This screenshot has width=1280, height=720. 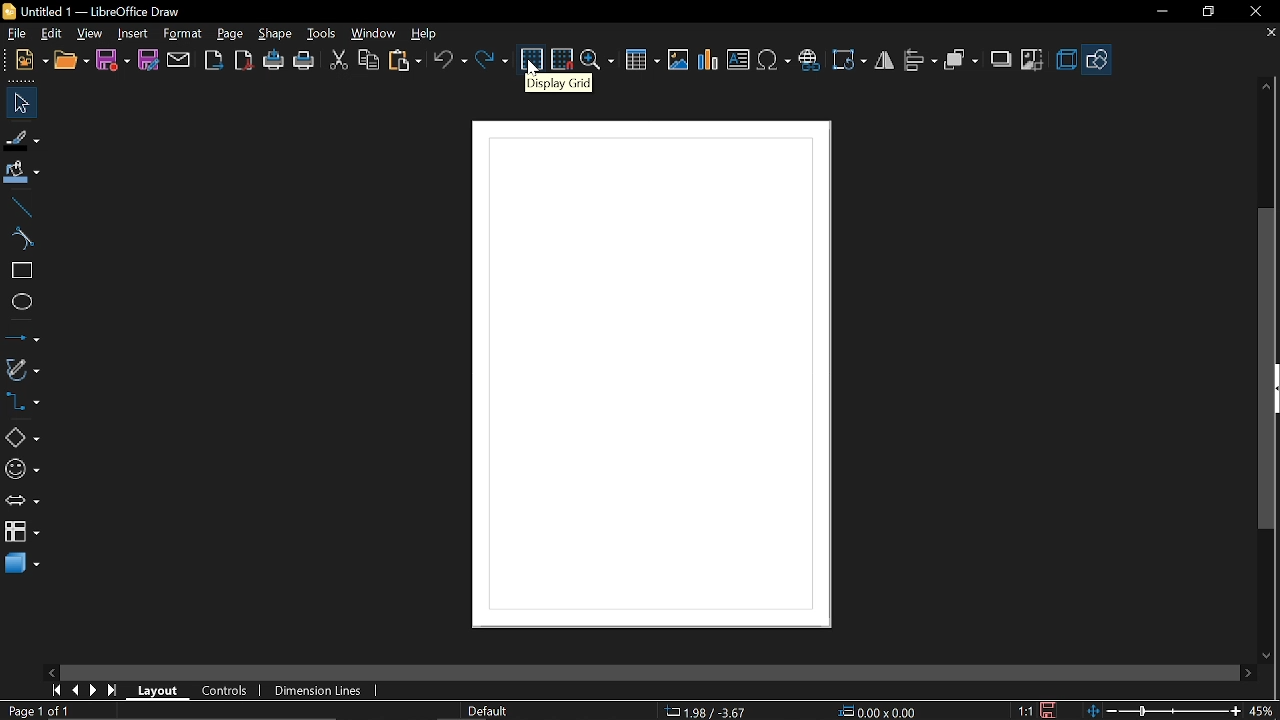 I want to click on tools, so click(x=323, y=33).